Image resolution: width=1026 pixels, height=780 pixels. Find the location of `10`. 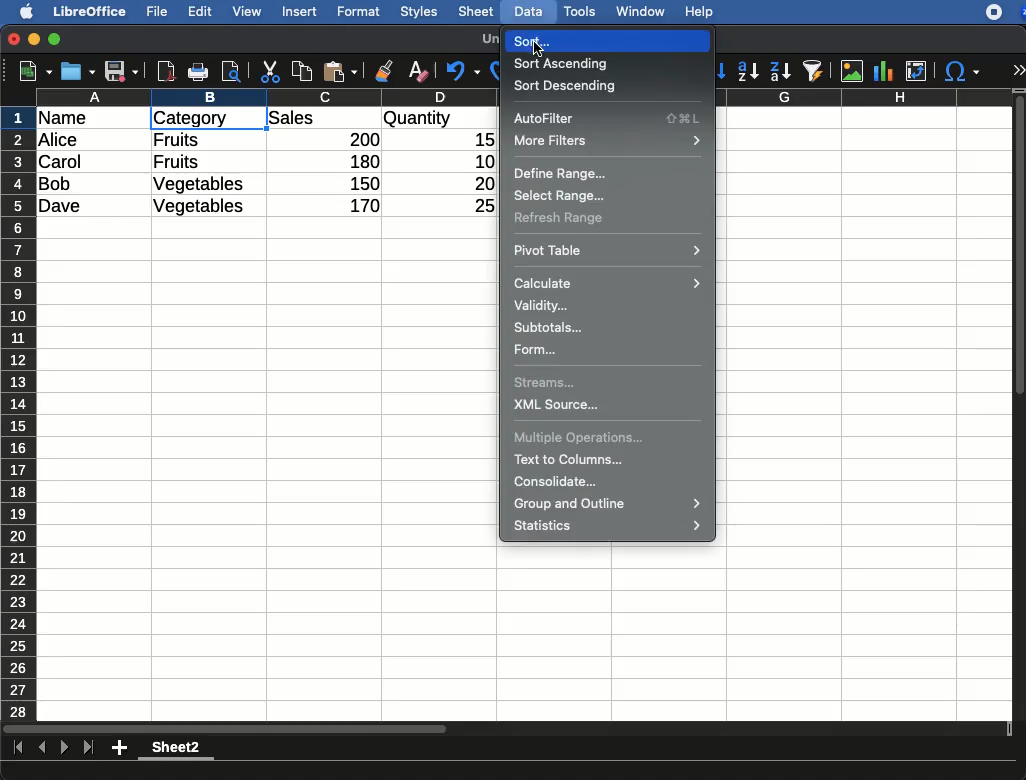

10 is located at coordinates (479, 160).